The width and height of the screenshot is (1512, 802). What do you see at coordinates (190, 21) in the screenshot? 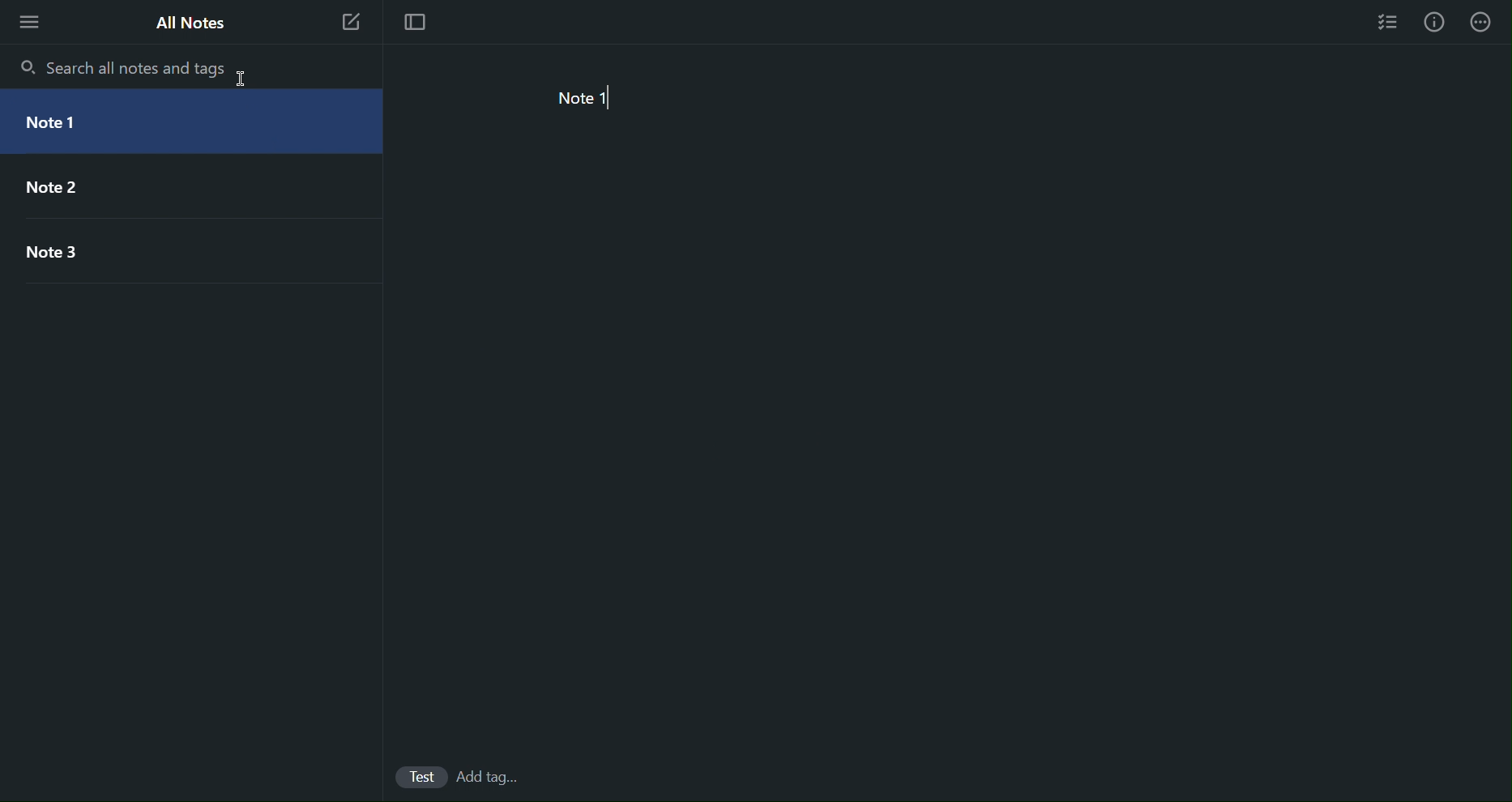
I see `All Notes` at bounding box center [190, 21].